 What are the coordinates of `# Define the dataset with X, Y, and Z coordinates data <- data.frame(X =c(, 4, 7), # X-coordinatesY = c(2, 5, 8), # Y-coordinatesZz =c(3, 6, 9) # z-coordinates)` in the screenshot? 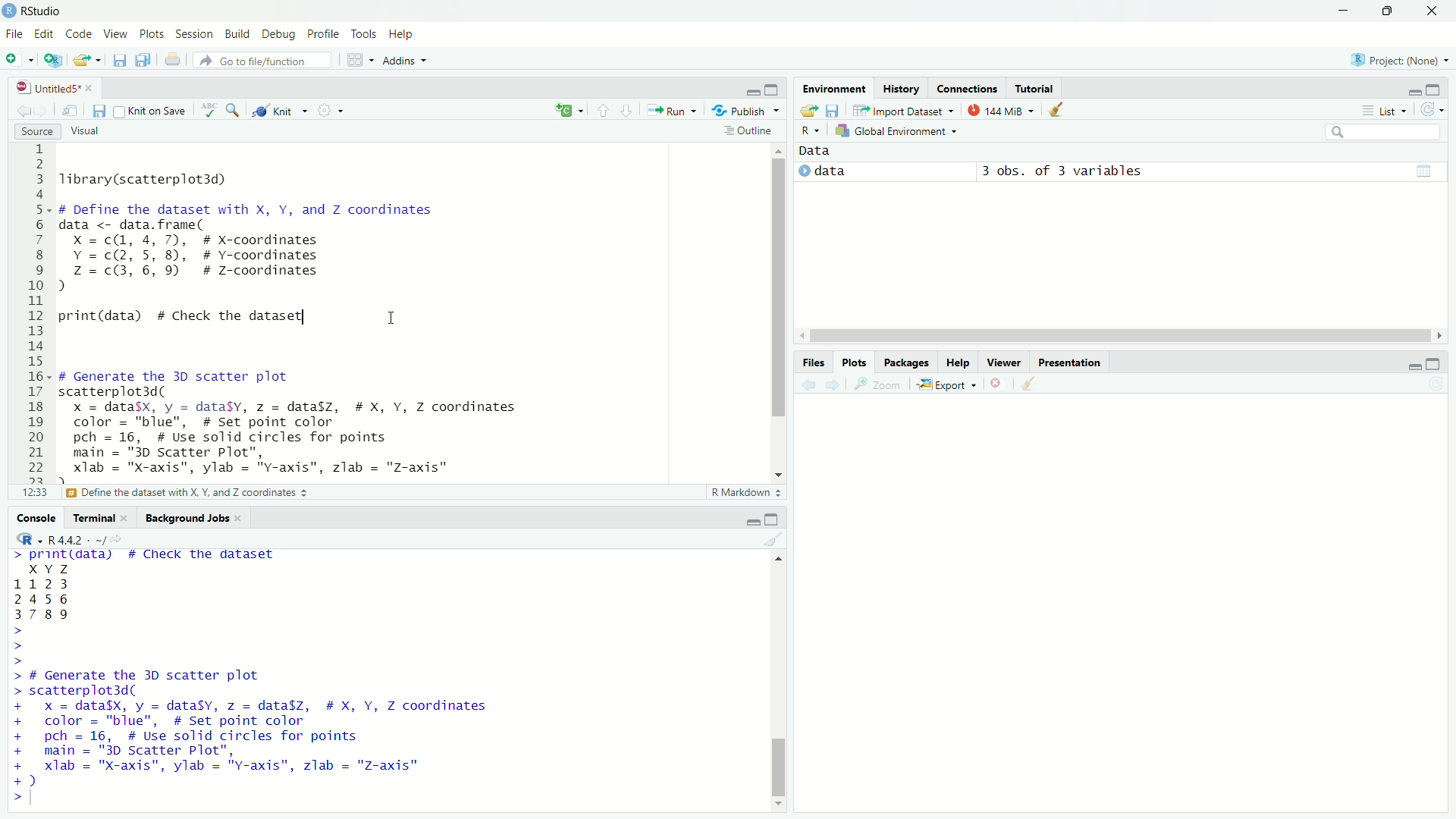 It's located at (256, 248).